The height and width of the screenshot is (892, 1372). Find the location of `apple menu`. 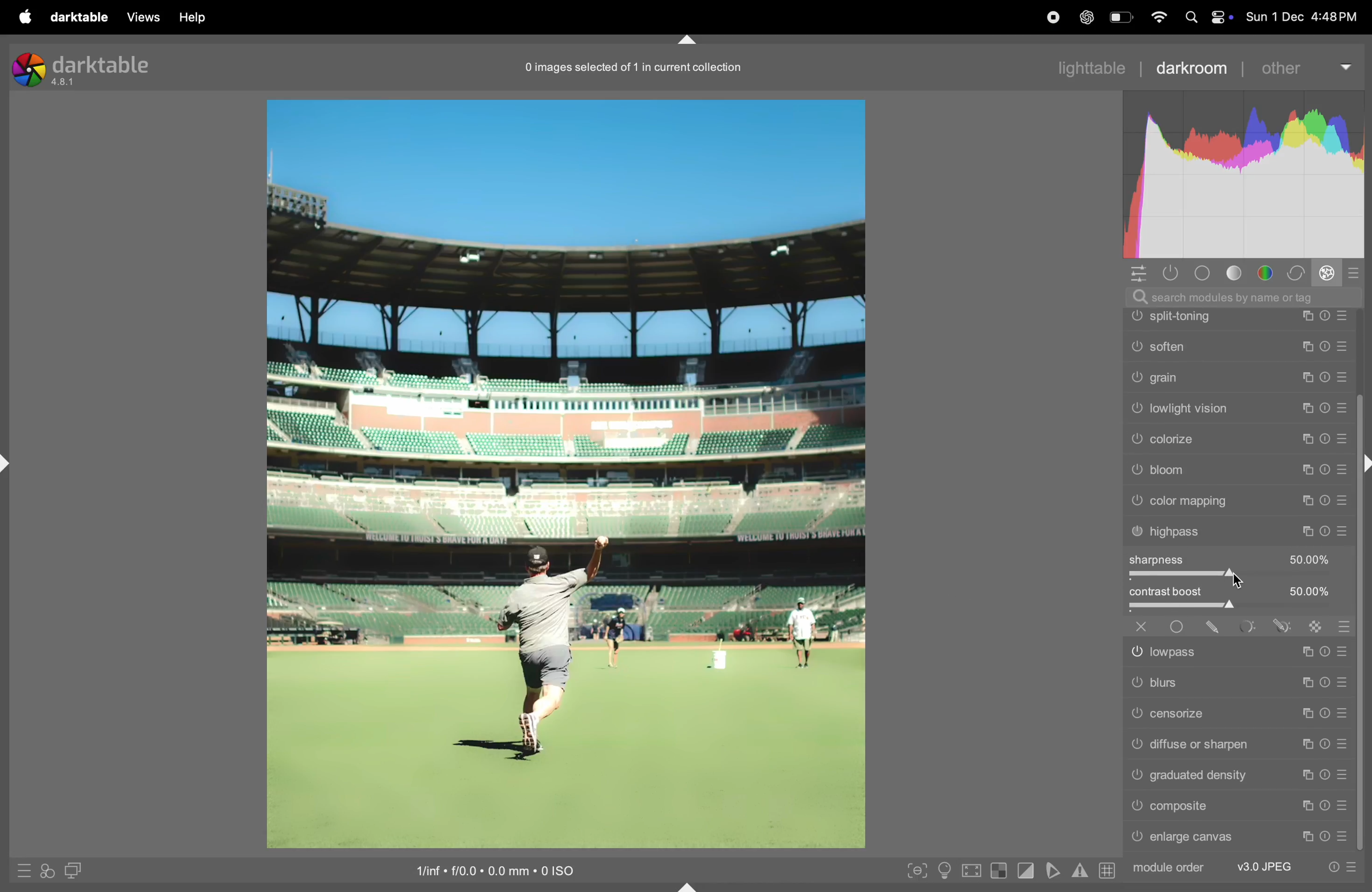

apple menu is located at coordinates (22, 16).